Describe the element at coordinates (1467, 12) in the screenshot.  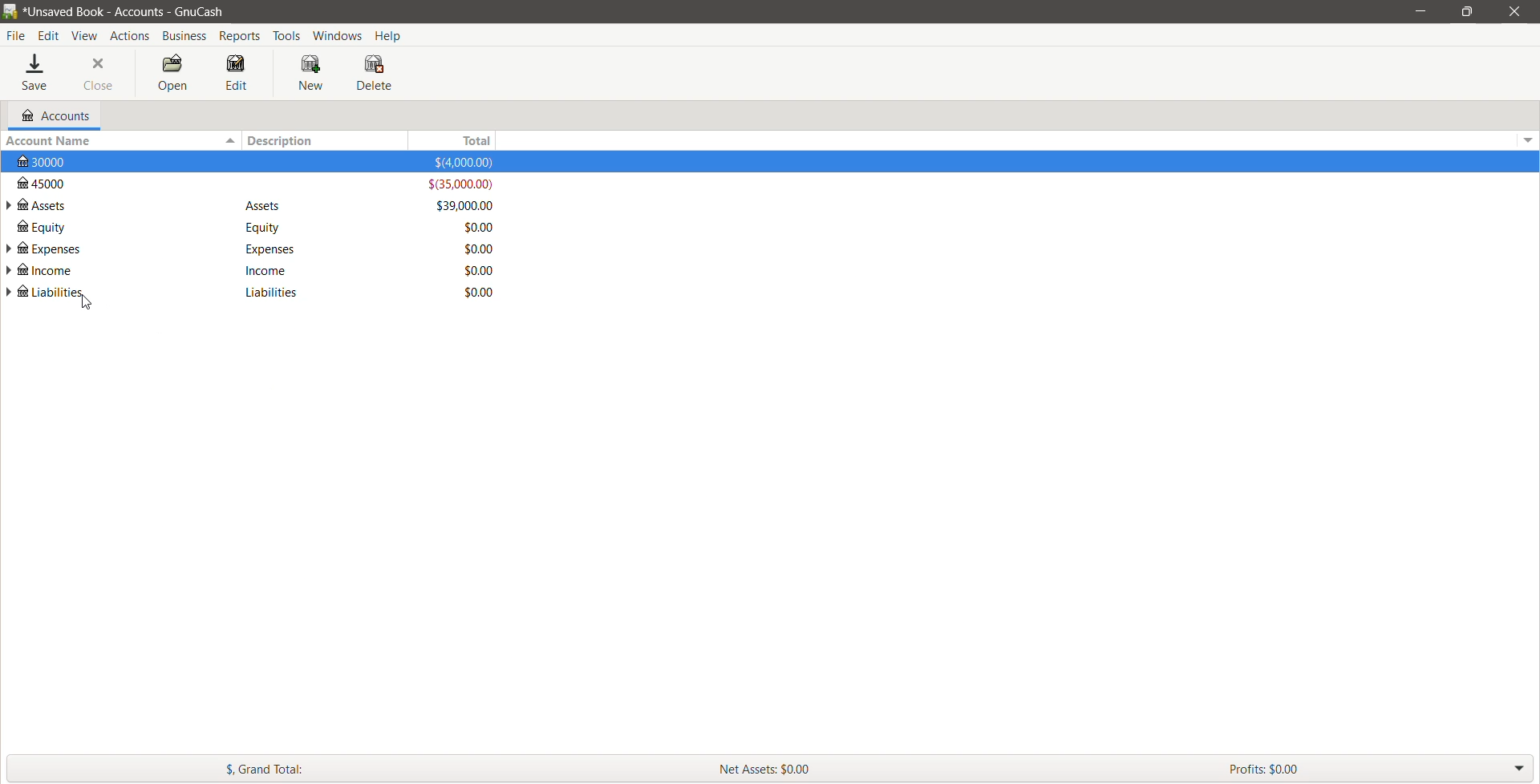
I see `Restore Down` at that location.